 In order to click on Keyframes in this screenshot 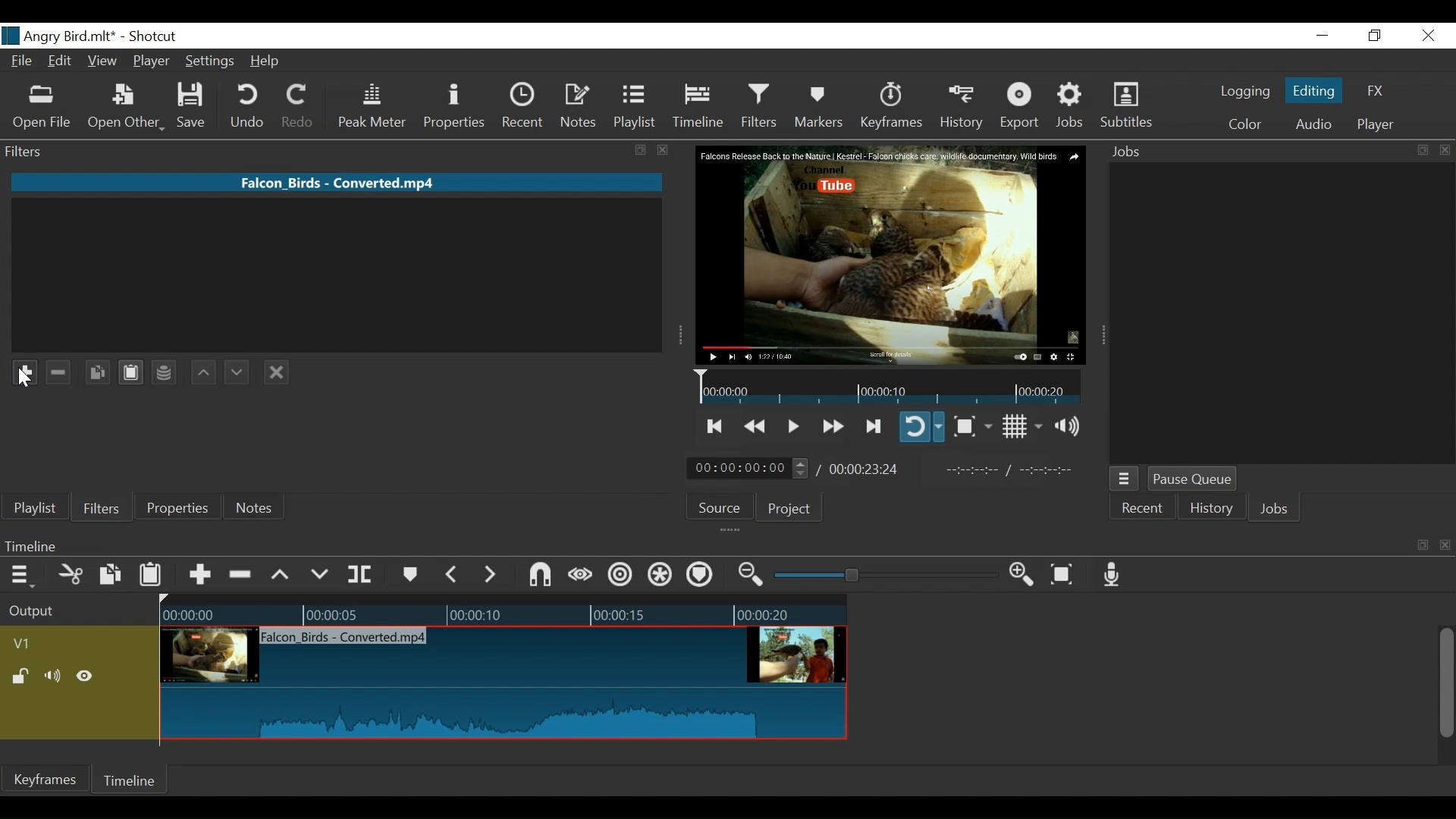, I will do `click(45, 779)`.